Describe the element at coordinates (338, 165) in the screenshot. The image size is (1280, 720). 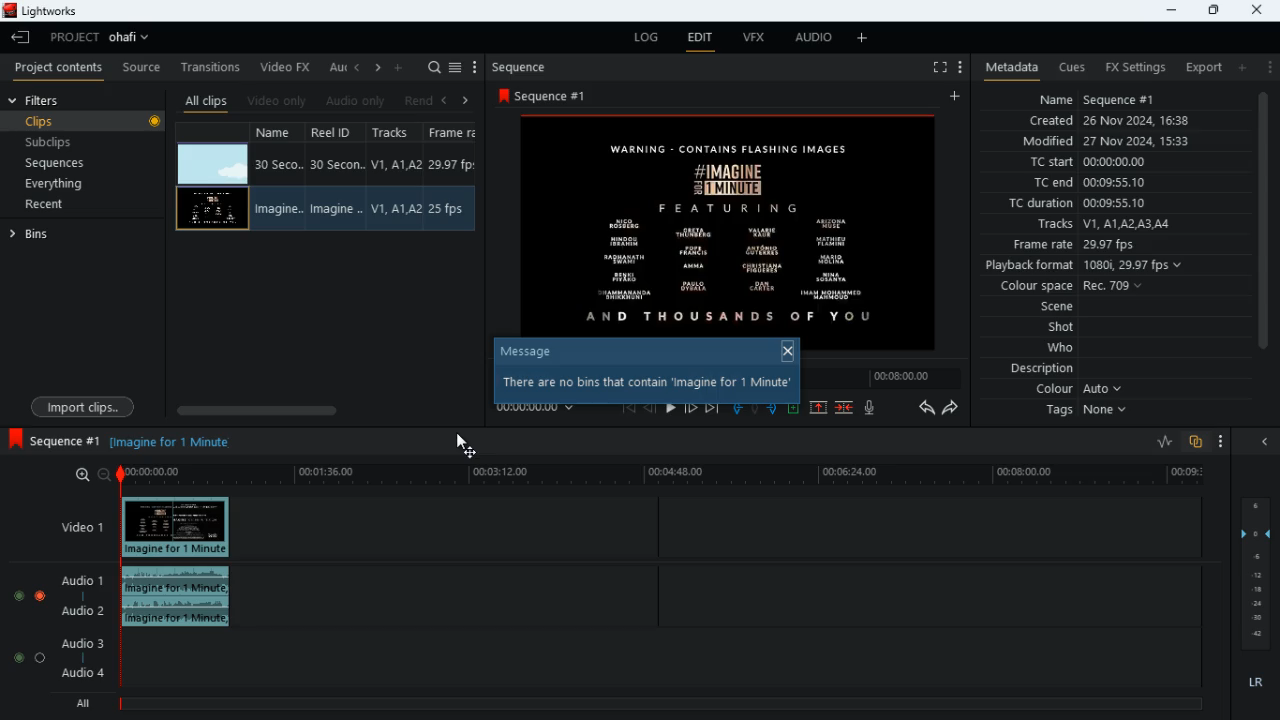
I see `Reel ID` at that location.